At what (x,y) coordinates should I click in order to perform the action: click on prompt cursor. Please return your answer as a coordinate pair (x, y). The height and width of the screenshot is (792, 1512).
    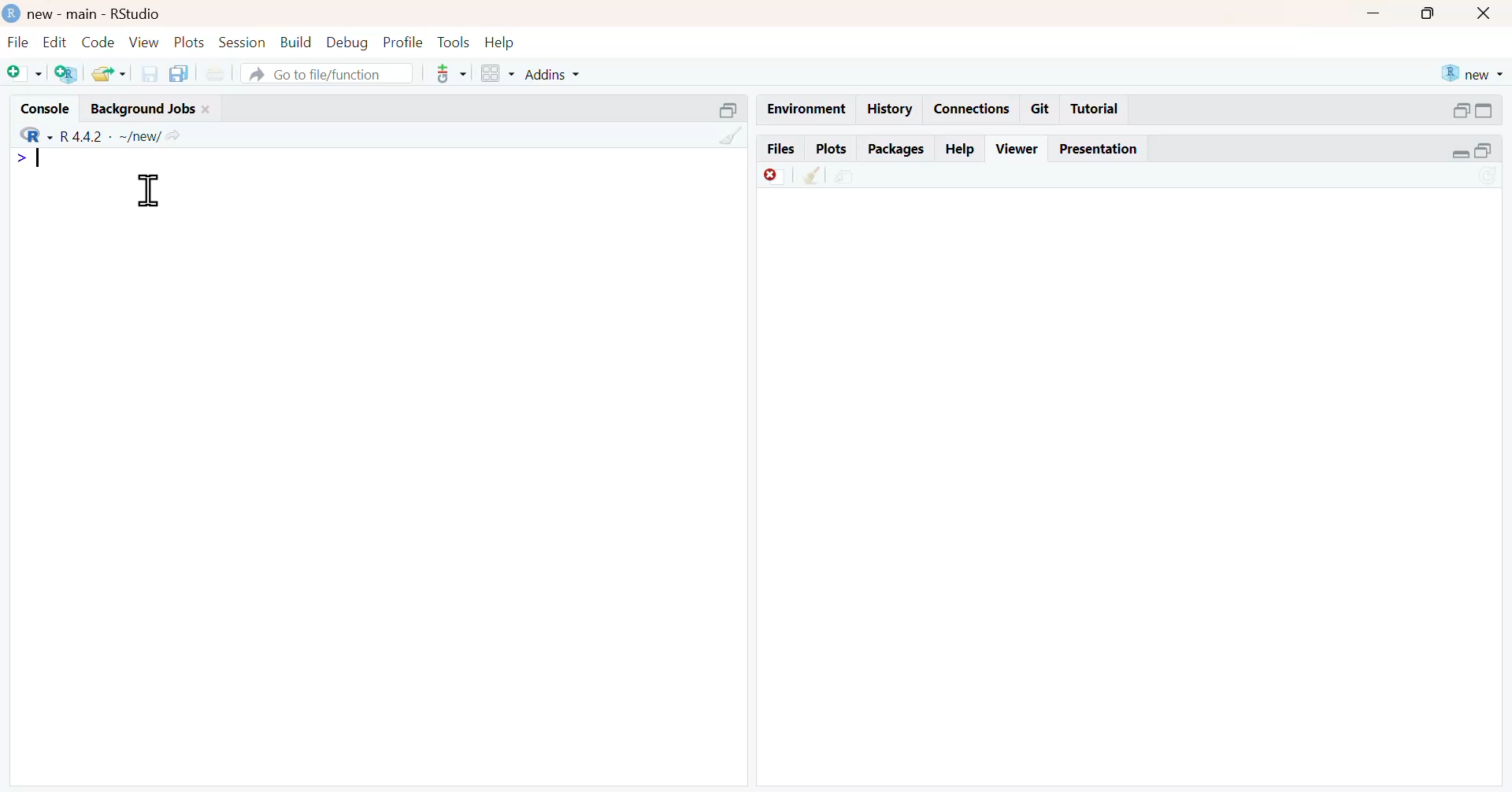
    Looking at the image, I should click on (14, 159).